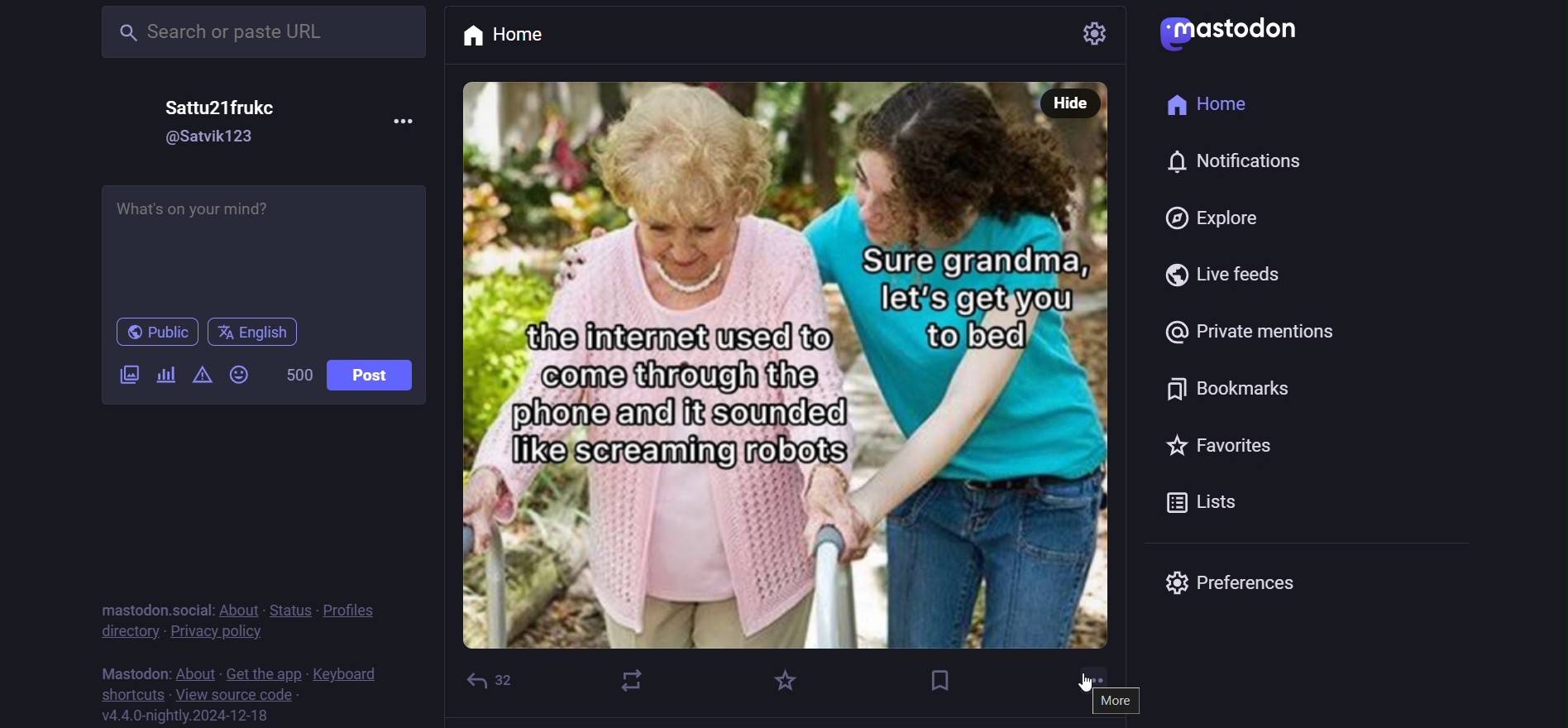  What do you see at coordinates (1236, 272) in the screenshot?
I see `live feed` at bounding box center [1236, 272].